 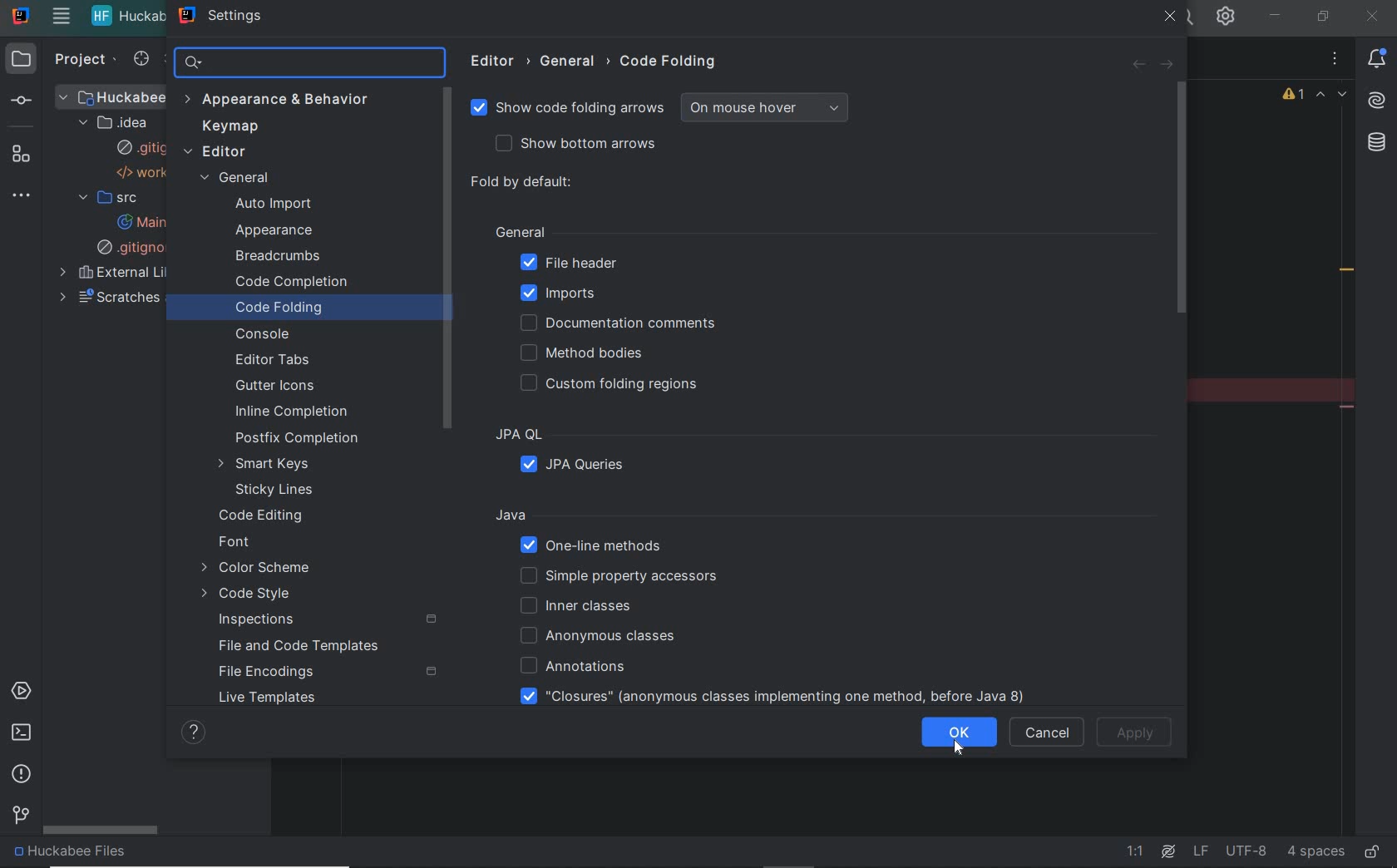 What do you see at coordinates (617, 386) in the screenshot?
I see `custom folding regions` at bounding box center [617, 386].